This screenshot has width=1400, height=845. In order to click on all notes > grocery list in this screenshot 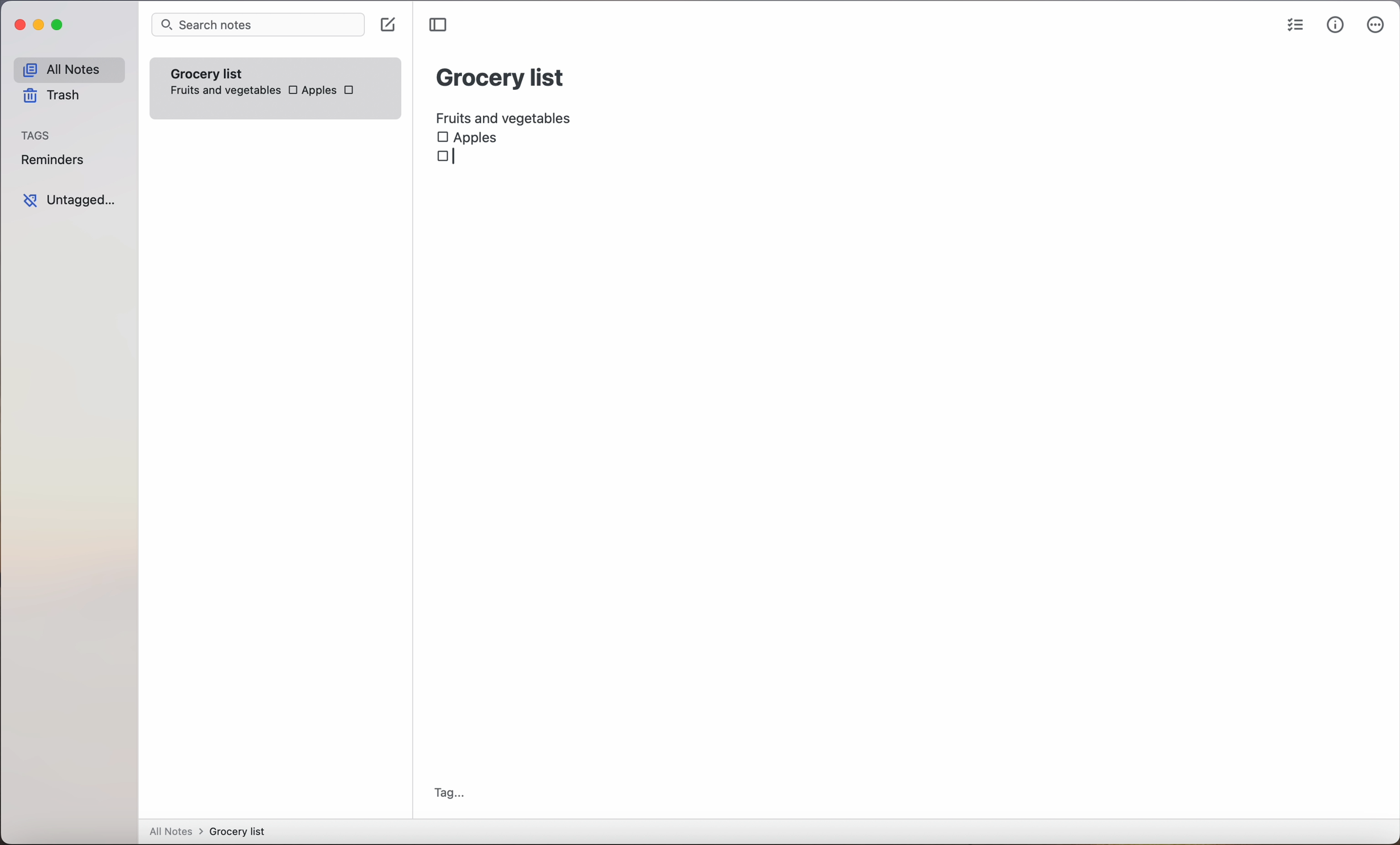, I will do `click(212, 833)`.